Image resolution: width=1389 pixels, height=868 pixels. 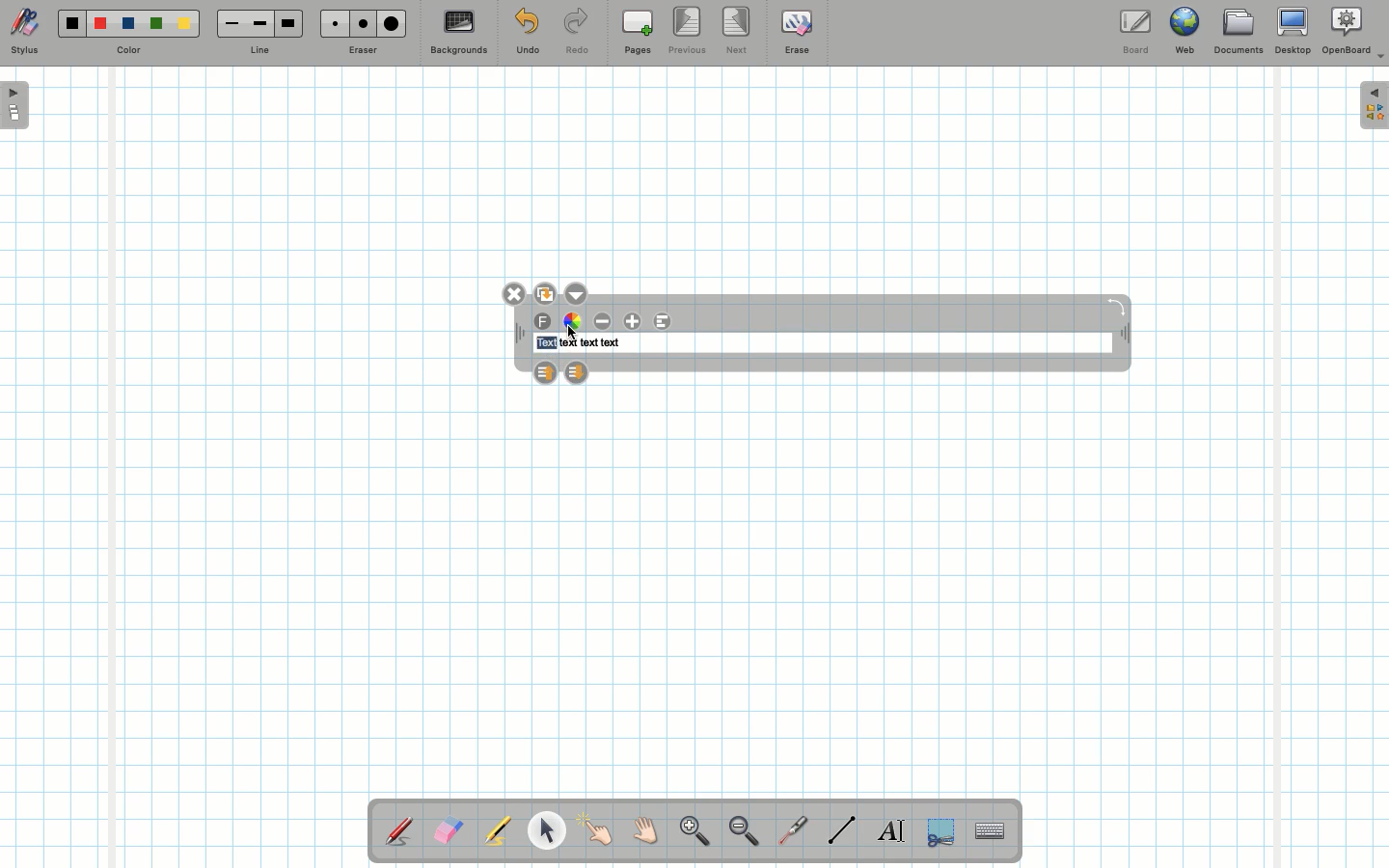 I want to click on Open pages, so click(x=16, y=104).